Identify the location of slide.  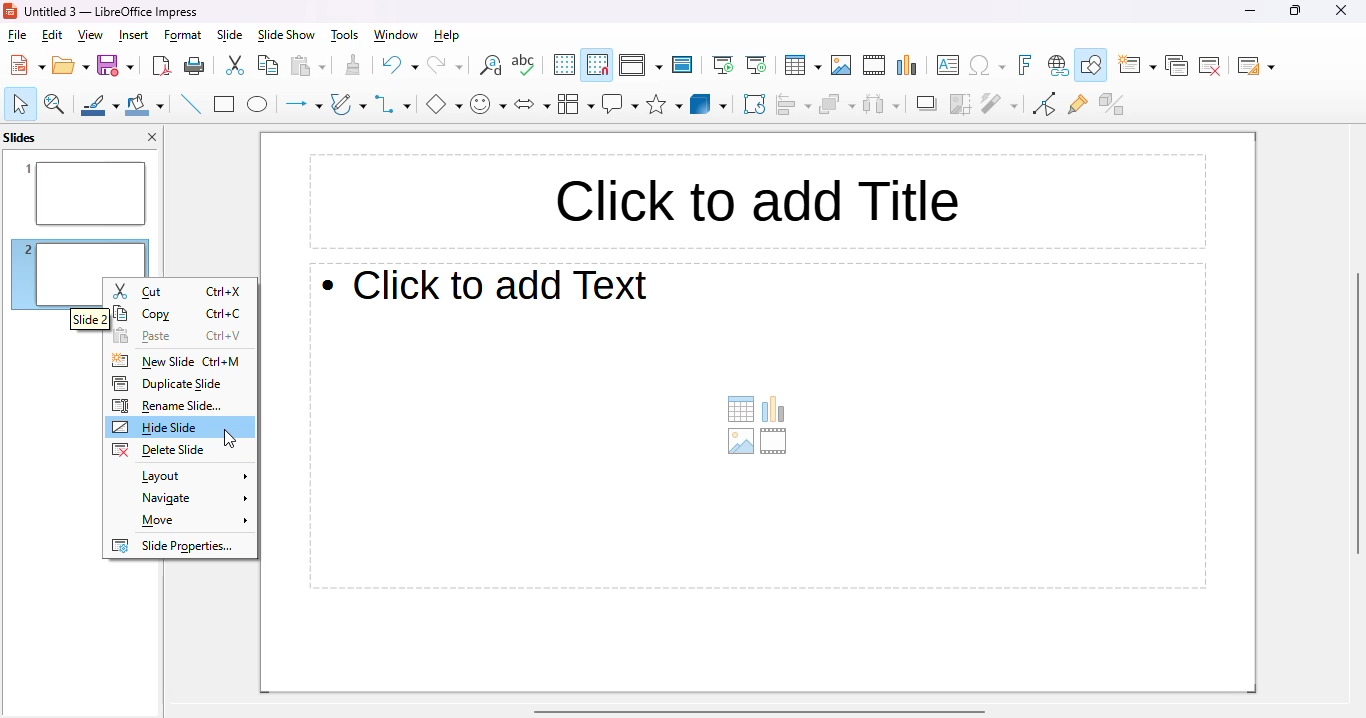
(230, 36).